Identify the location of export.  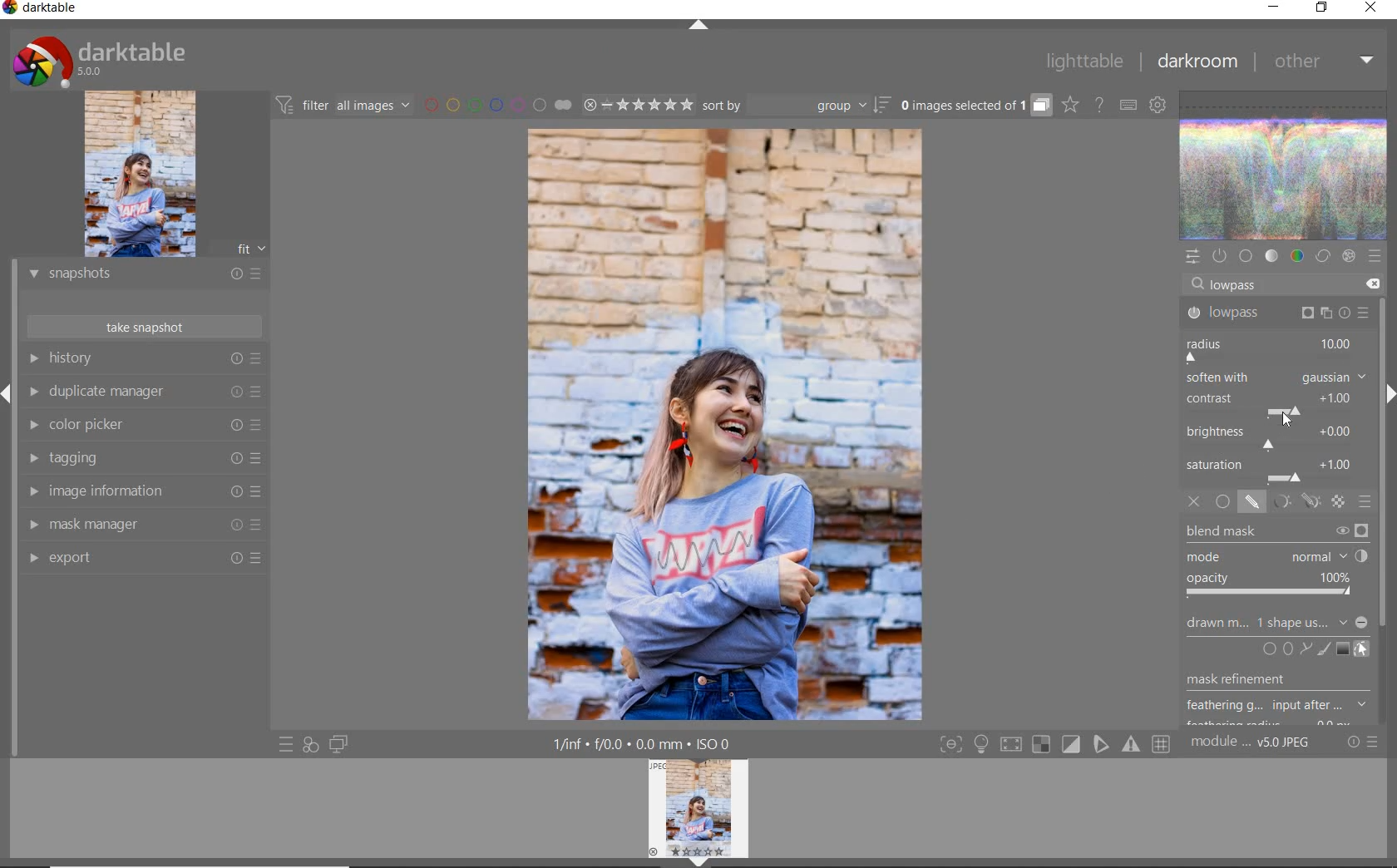
(146, 558).